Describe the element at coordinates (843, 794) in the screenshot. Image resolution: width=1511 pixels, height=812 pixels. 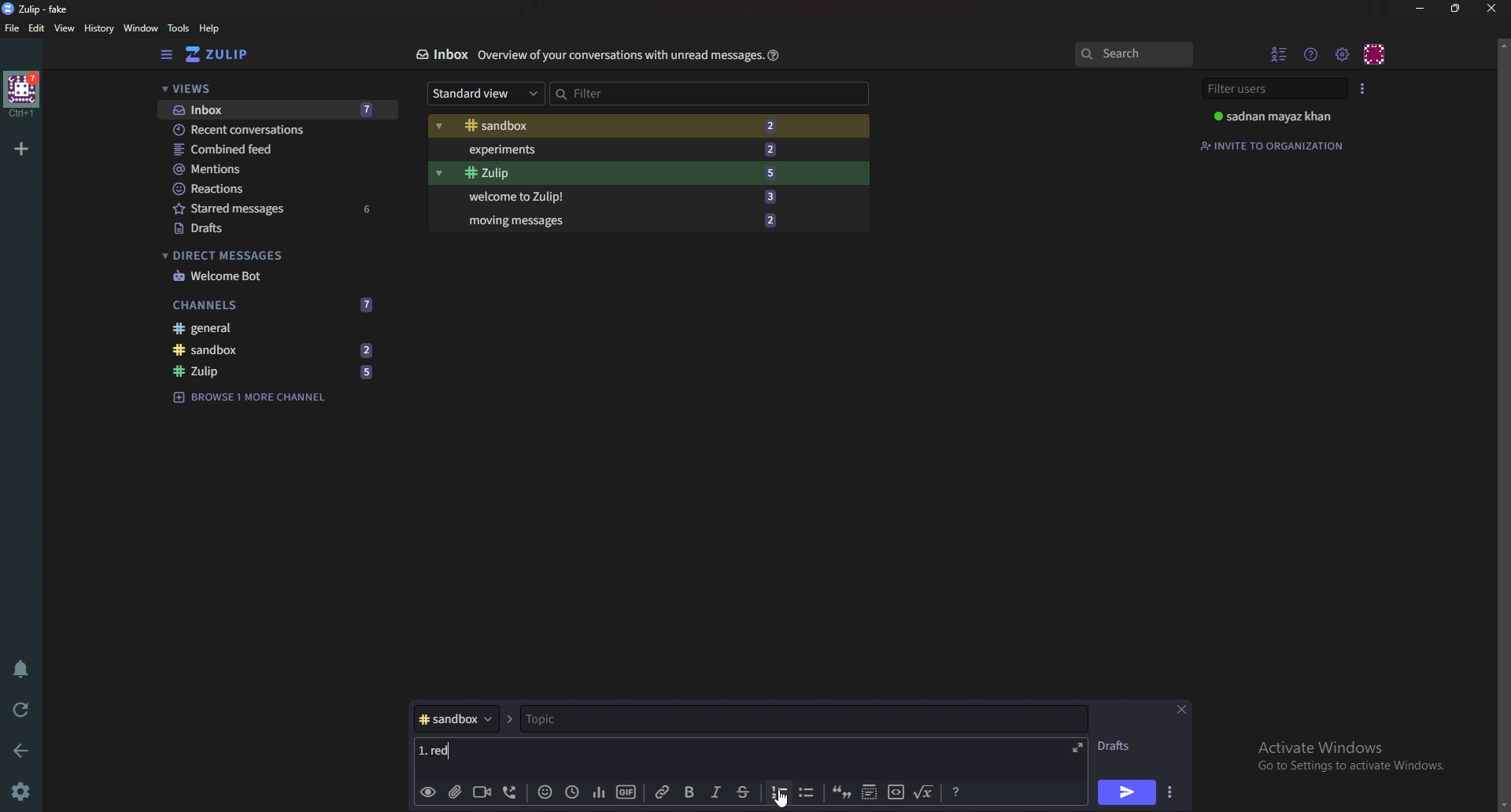
I see `quote` at that location.